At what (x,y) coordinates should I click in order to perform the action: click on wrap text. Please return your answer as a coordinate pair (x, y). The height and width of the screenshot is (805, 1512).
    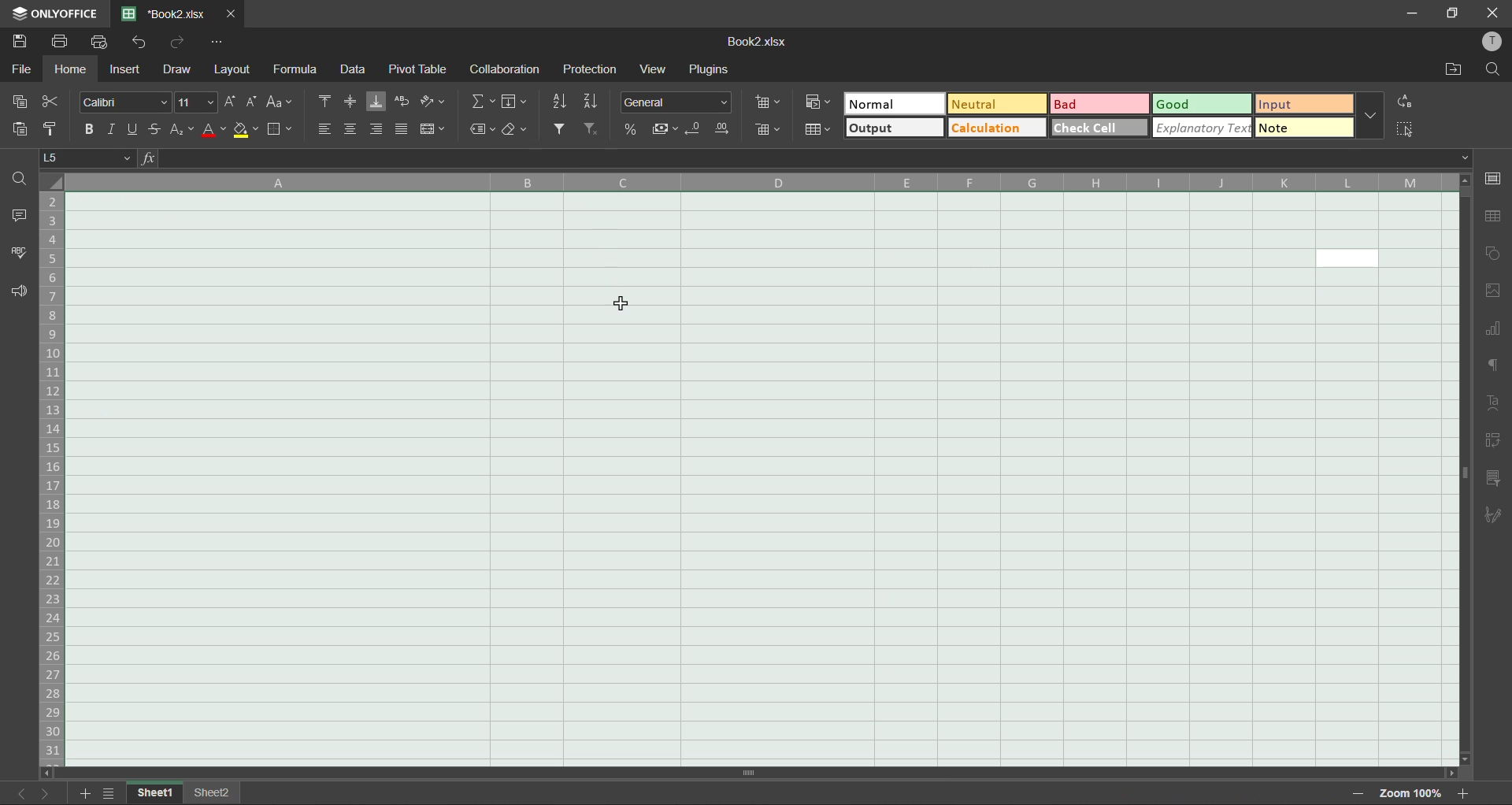
    Looking at the image, I should click on (400, 103).